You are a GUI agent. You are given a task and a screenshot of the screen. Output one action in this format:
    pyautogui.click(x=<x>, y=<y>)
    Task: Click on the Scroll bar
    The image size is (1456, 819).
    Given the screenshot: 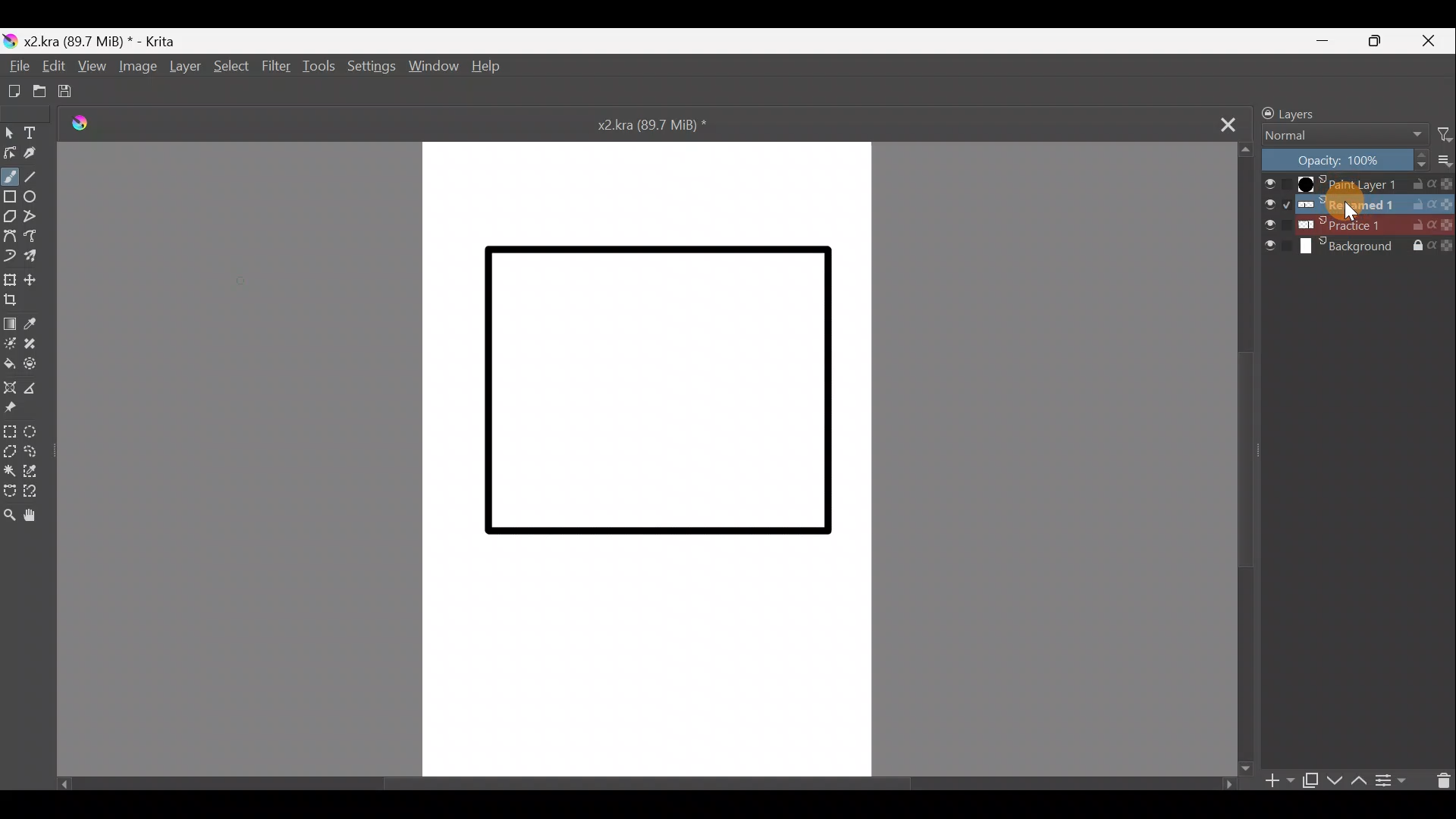 What is the action you would take?
    pyautogui.click(x=648, y=786)
    